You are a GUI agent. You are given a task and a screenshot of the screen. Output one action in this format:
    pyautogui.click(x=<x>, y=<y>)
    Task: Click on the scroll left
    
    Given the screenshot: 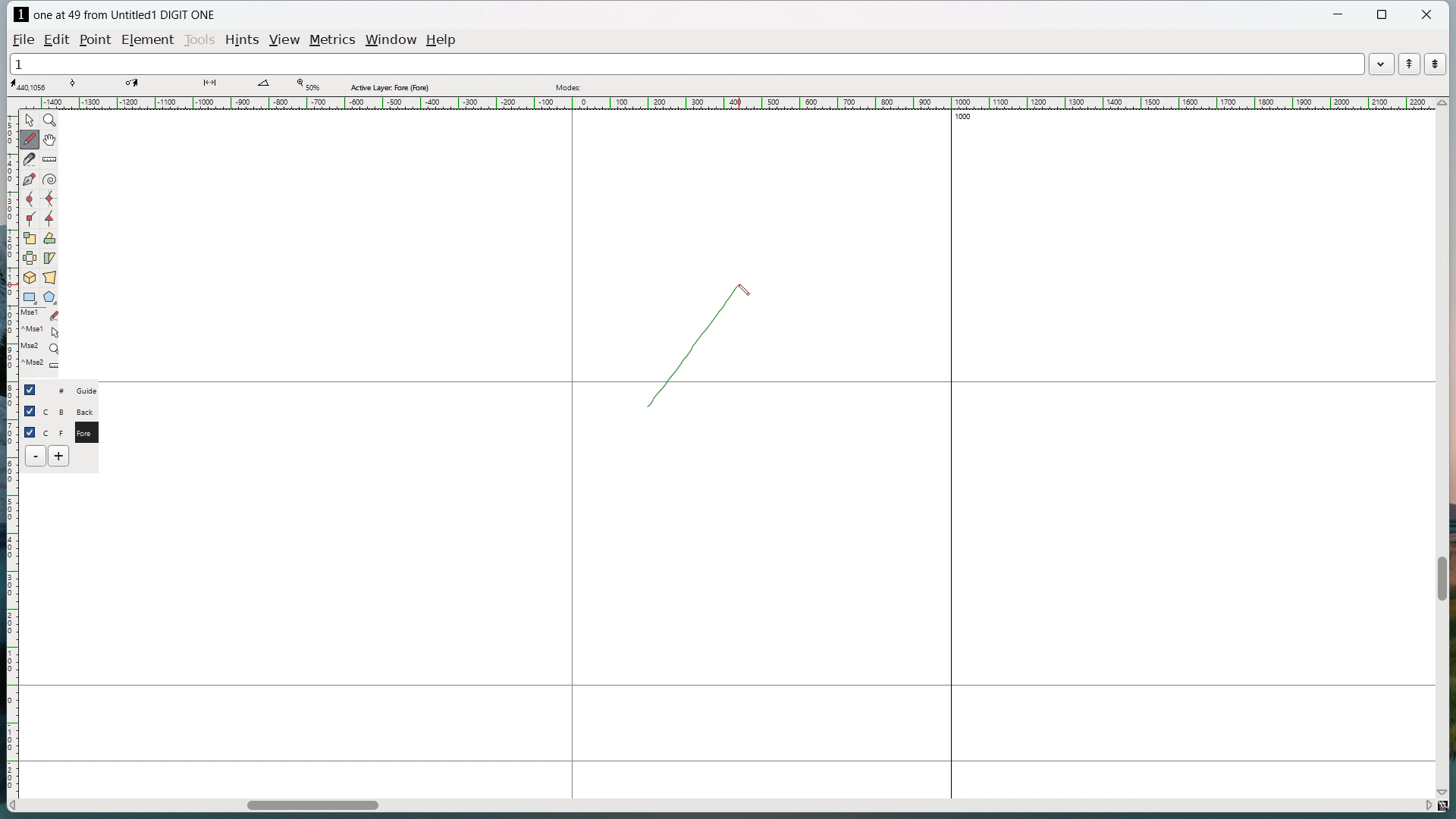 What is the action you would take?
    pyautogui.click(x=14, y=806)
    